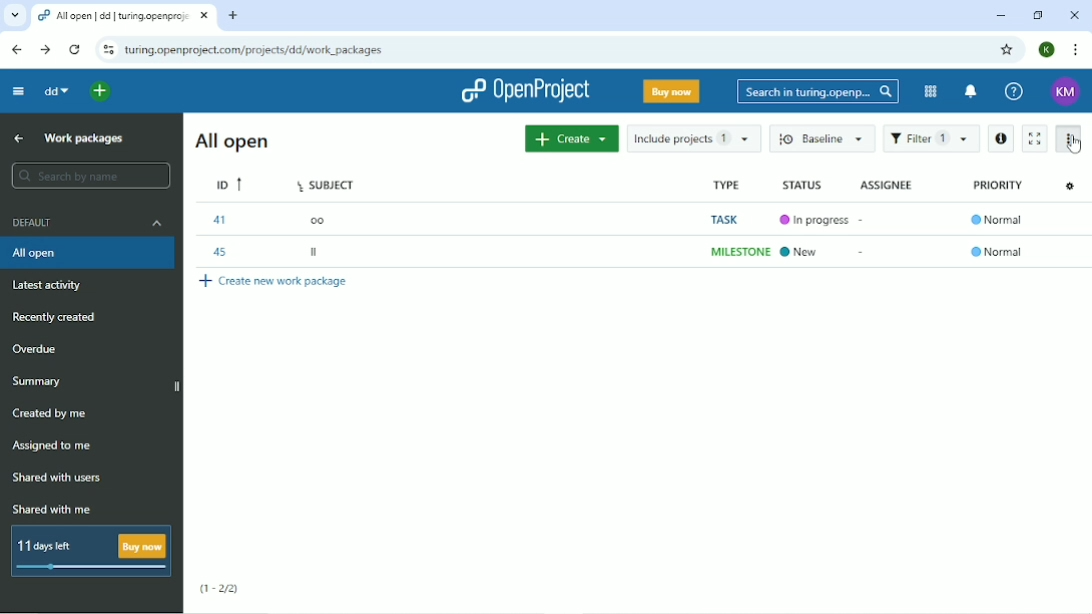 The image size is (1092, 614). I want to click on Include projects, so click(692, 139).